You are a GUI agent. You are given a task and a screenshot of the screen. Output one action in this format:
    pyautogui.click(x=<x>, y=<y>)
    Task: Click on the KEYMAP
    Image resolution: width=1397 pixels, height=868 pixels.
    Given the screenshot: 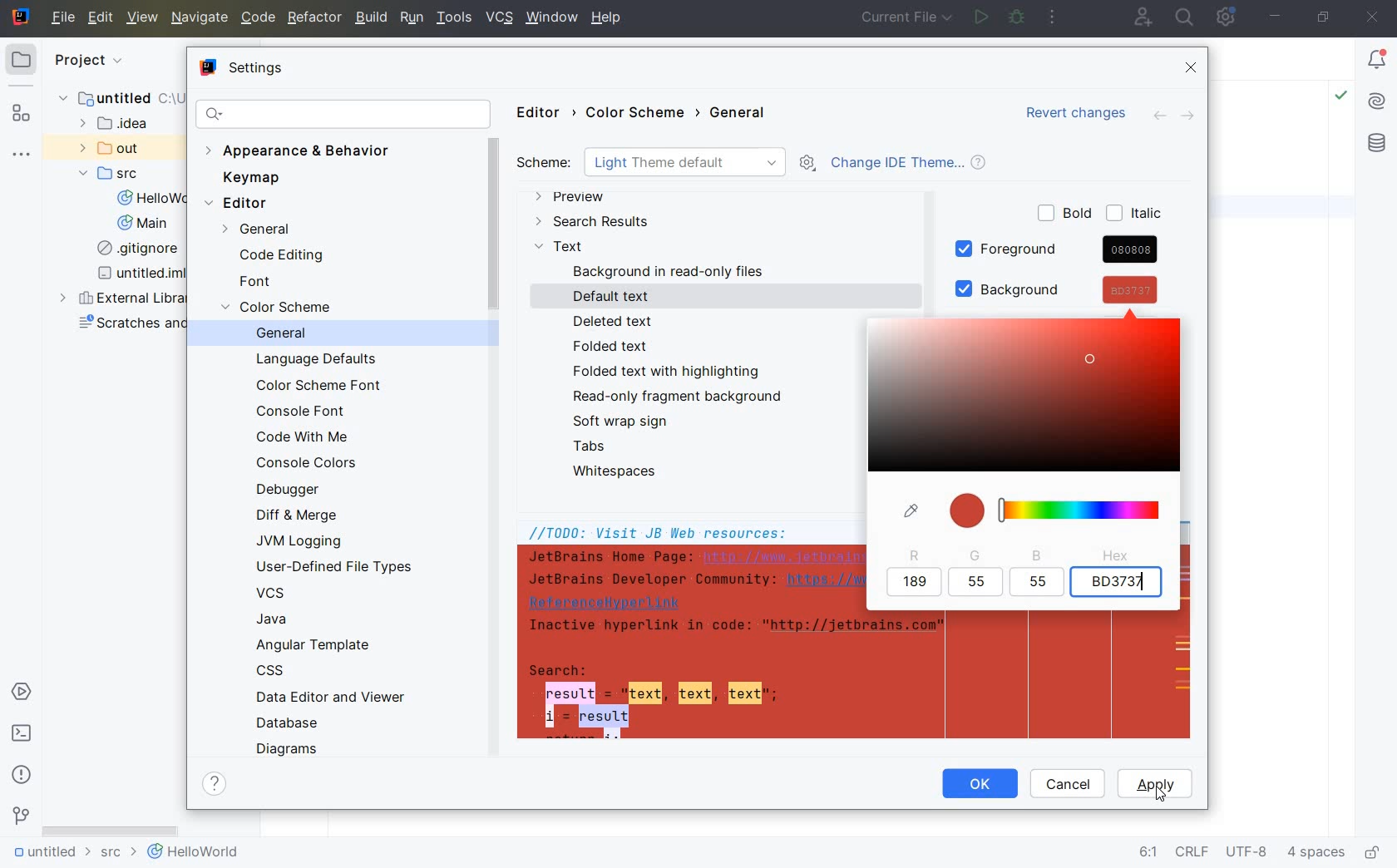 What is the action you would take?
    pyautogui.click(x=255, y=178)
    